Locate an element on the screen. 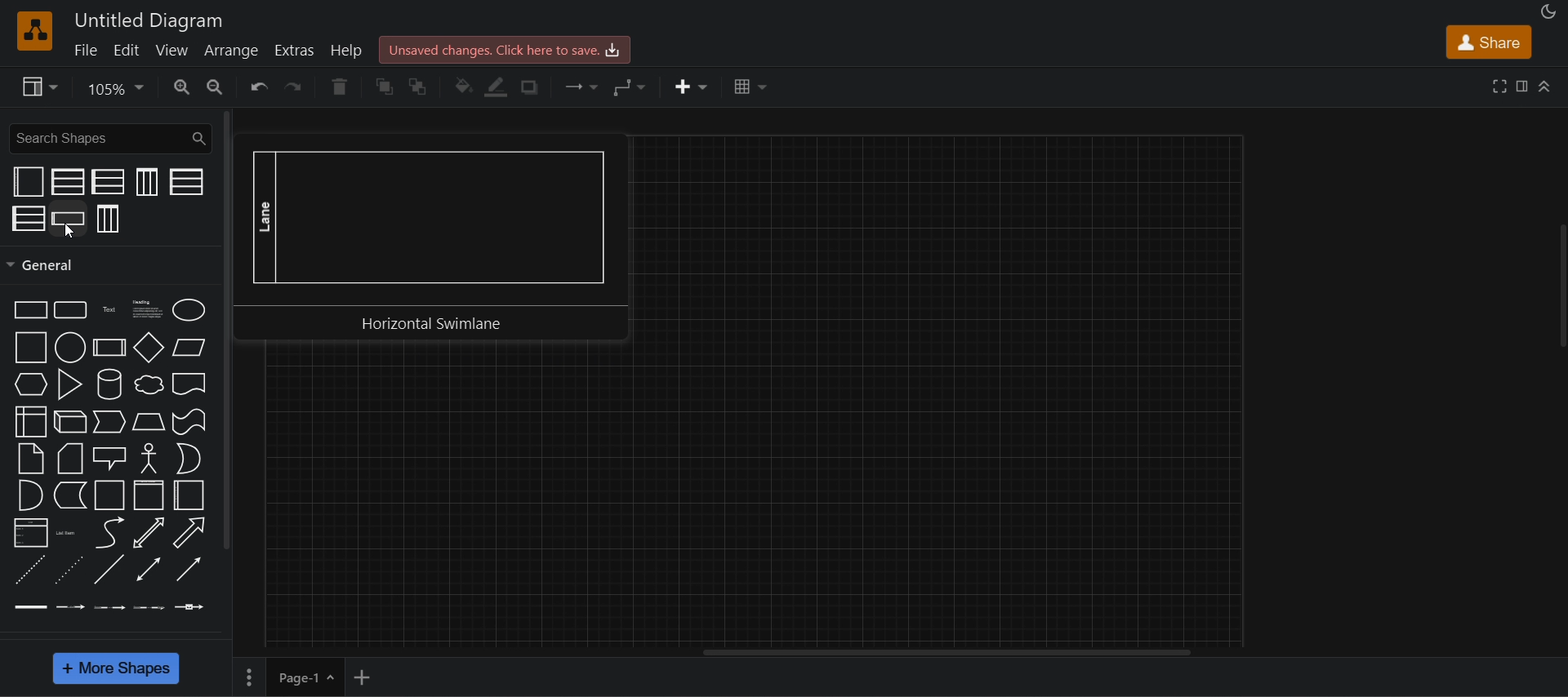  connector with 3 labels is located at coordinates (149, 608).